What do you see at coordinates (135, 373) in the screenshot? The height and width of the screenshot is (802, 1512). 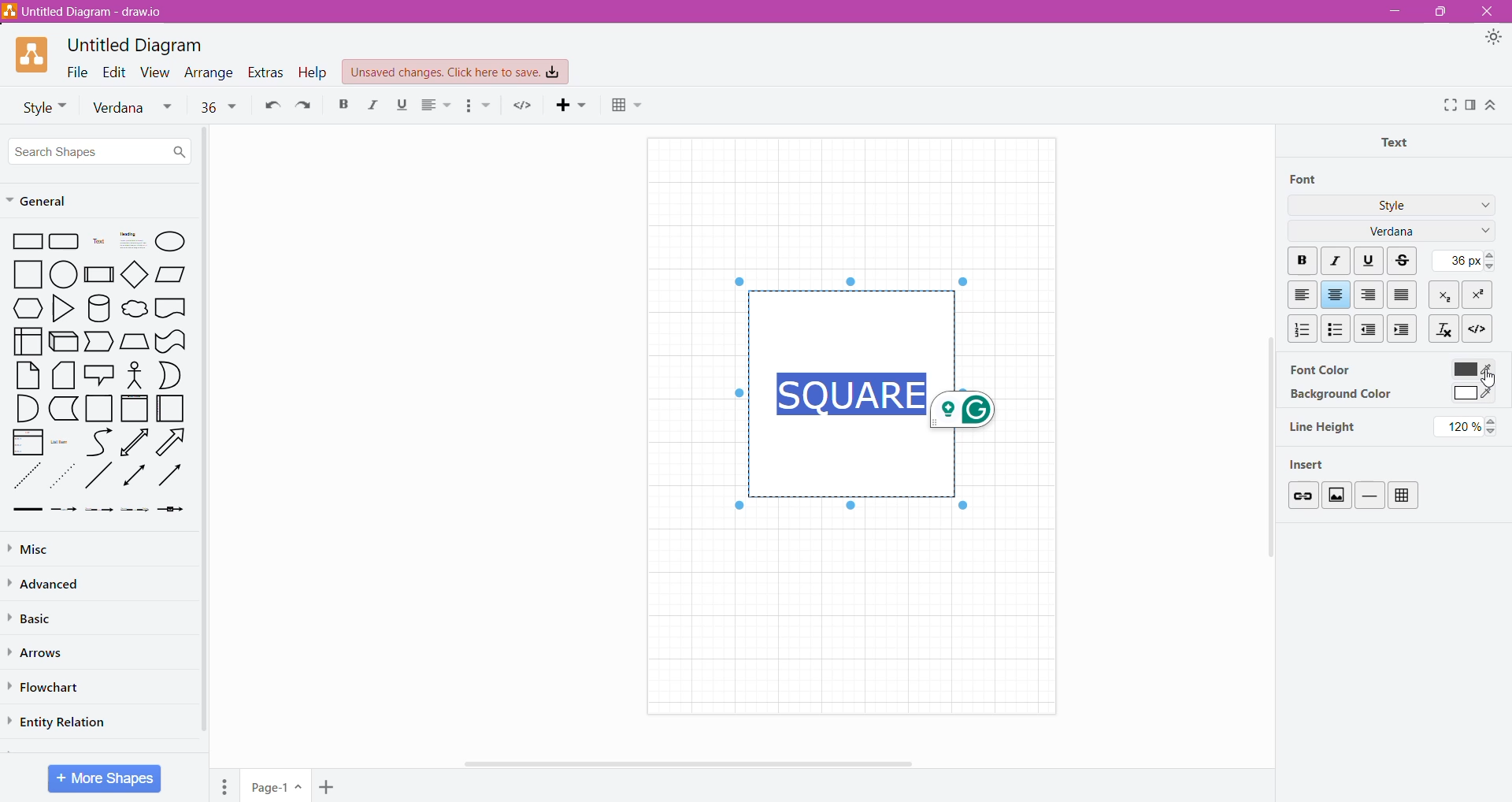 I see `Stick Figure ` at bounding box center [135, 373].